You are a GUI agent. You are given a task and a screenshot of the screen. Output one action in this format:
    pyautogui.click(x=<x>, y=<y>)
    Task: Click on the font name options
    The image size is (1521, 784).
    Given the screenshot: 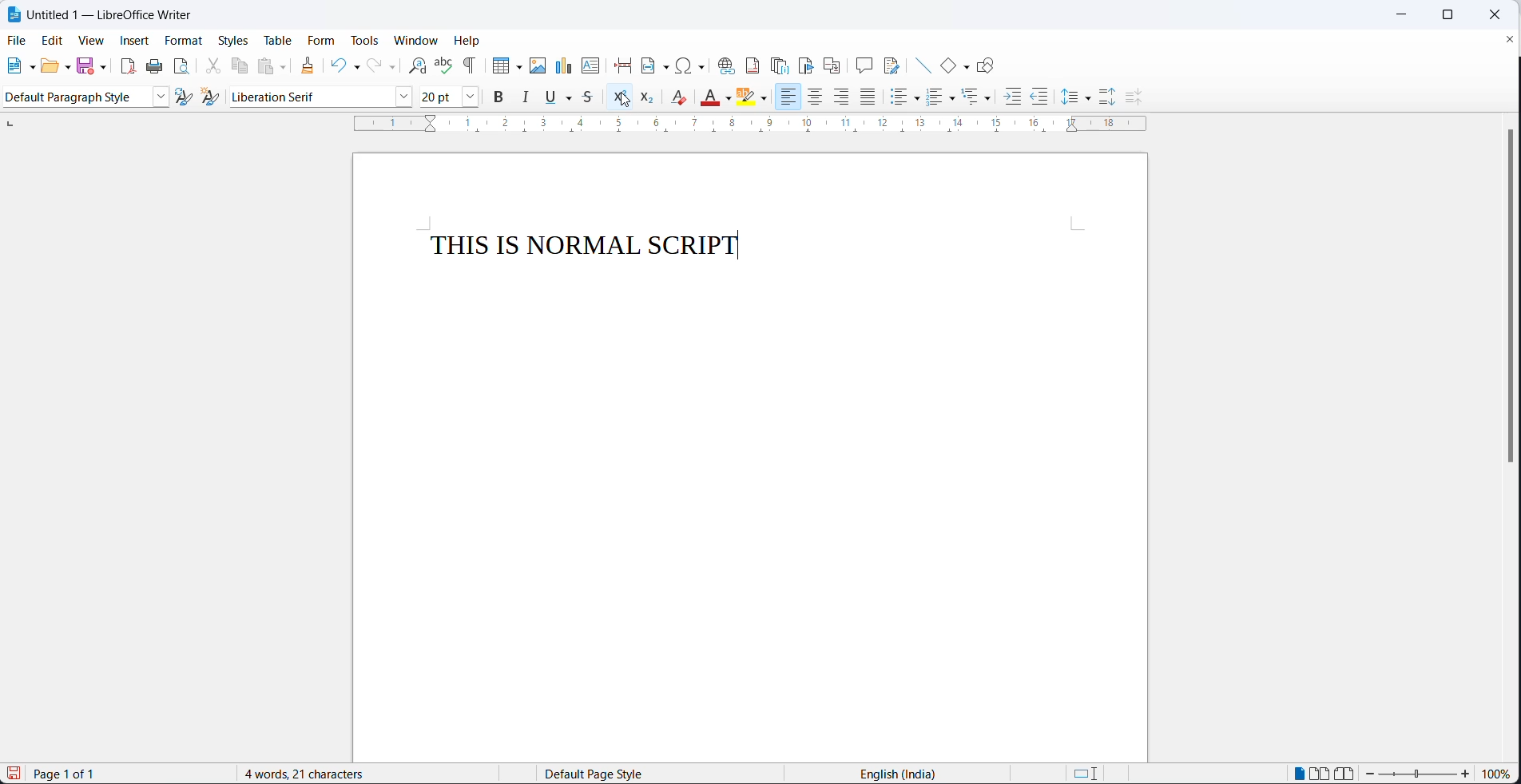 What is the action you would take?
    pyautogui.click(x=406, y=98)
    